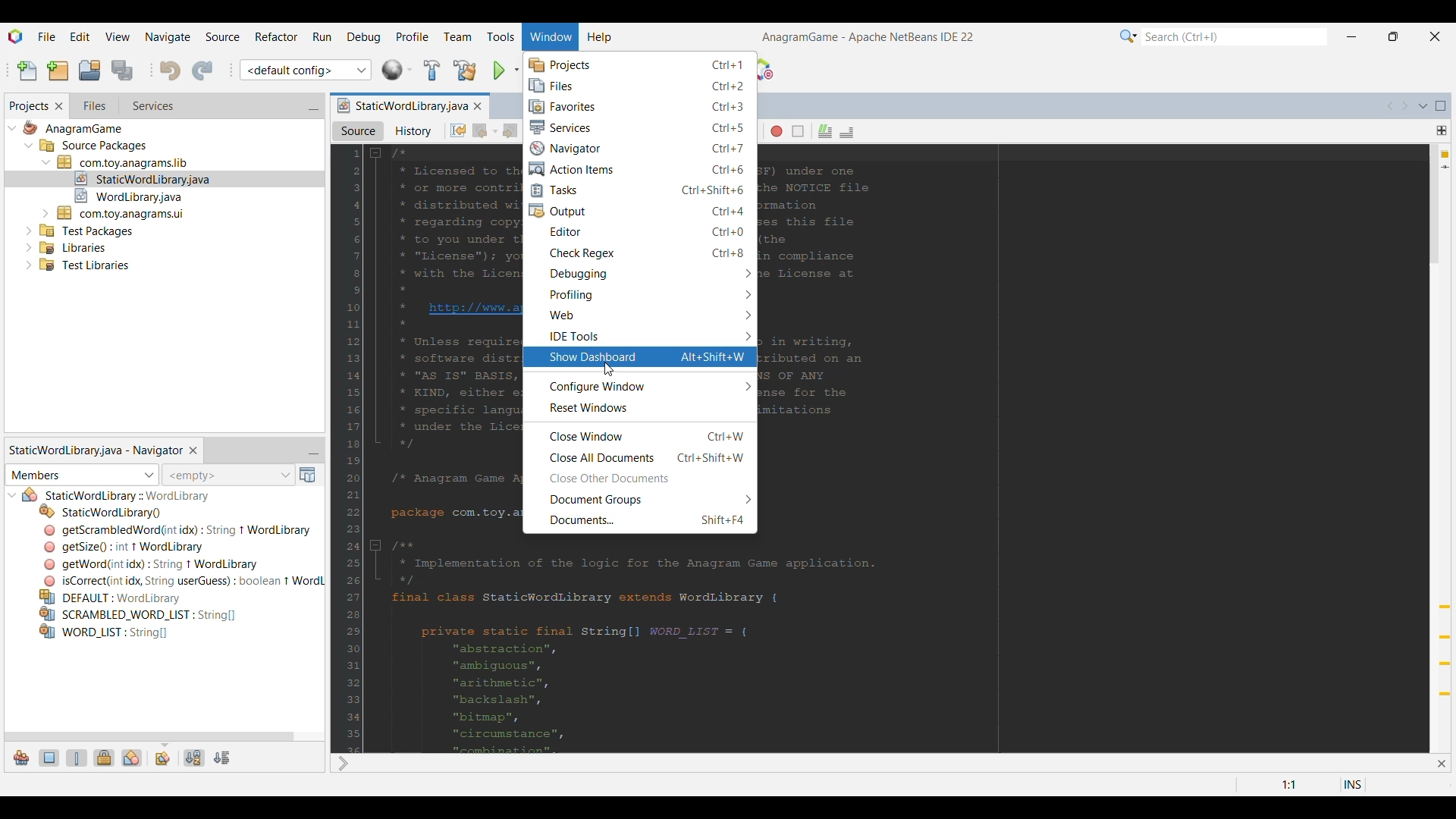 Image resolution: width=1456 pixels, height=819 pixels. Describe the element at coordinates (639, 106) in the screenshot. I see `Favorites` at that location.